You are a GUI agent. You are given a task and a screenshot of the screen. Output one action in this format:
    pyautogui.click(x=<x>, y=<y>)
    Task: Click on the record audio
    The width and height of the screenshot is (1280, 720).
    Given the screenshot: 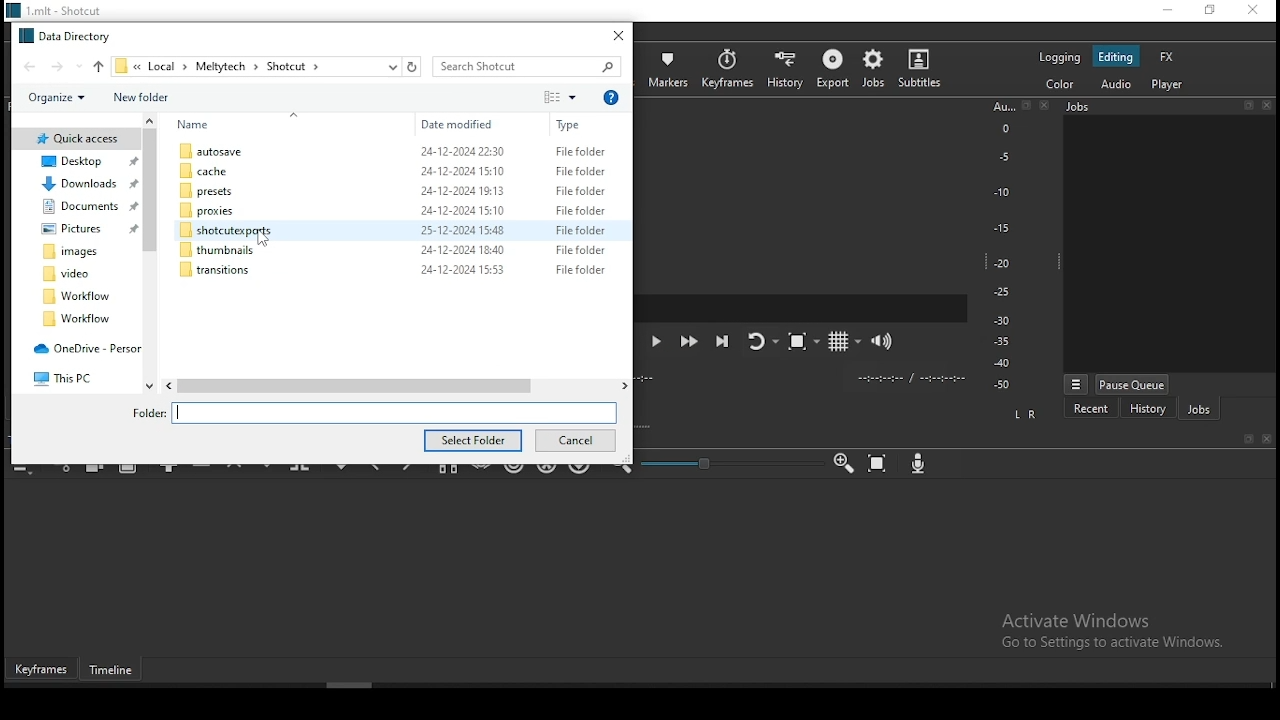 What is the action you would take?
    pyautogui.click(x=919, y=465)
    